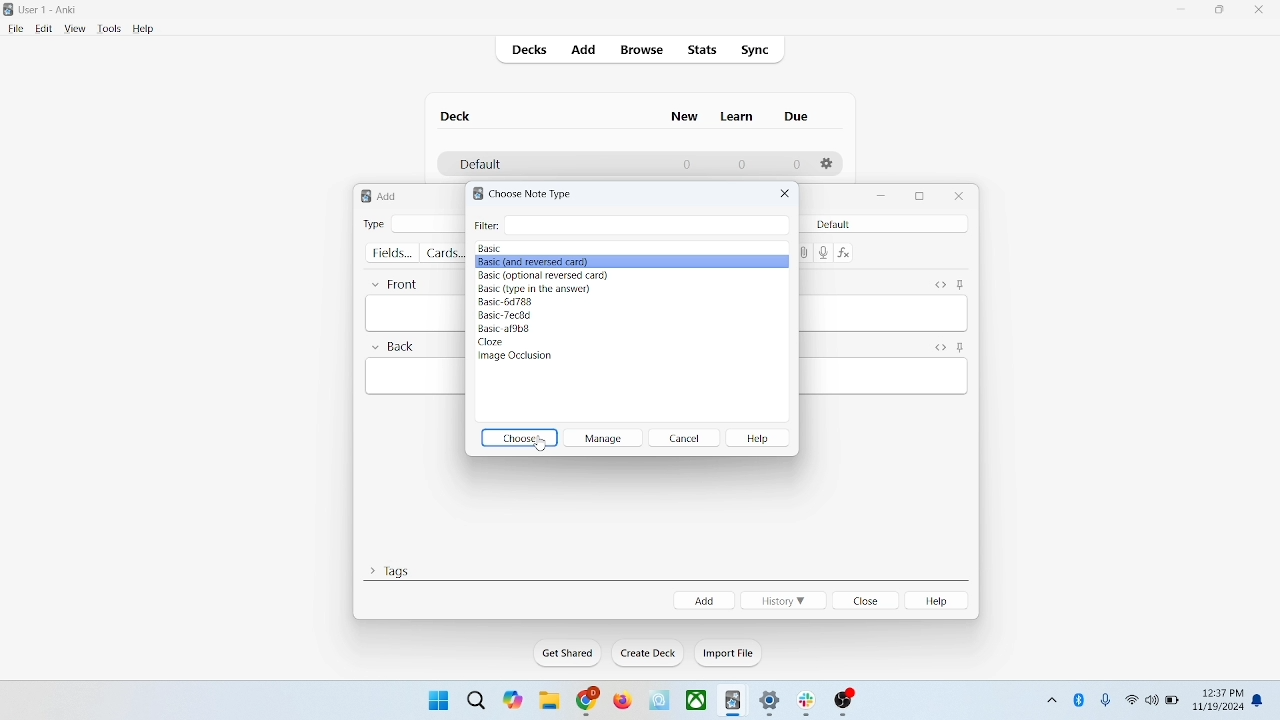  I want to click on record audio, so click(824, 254).